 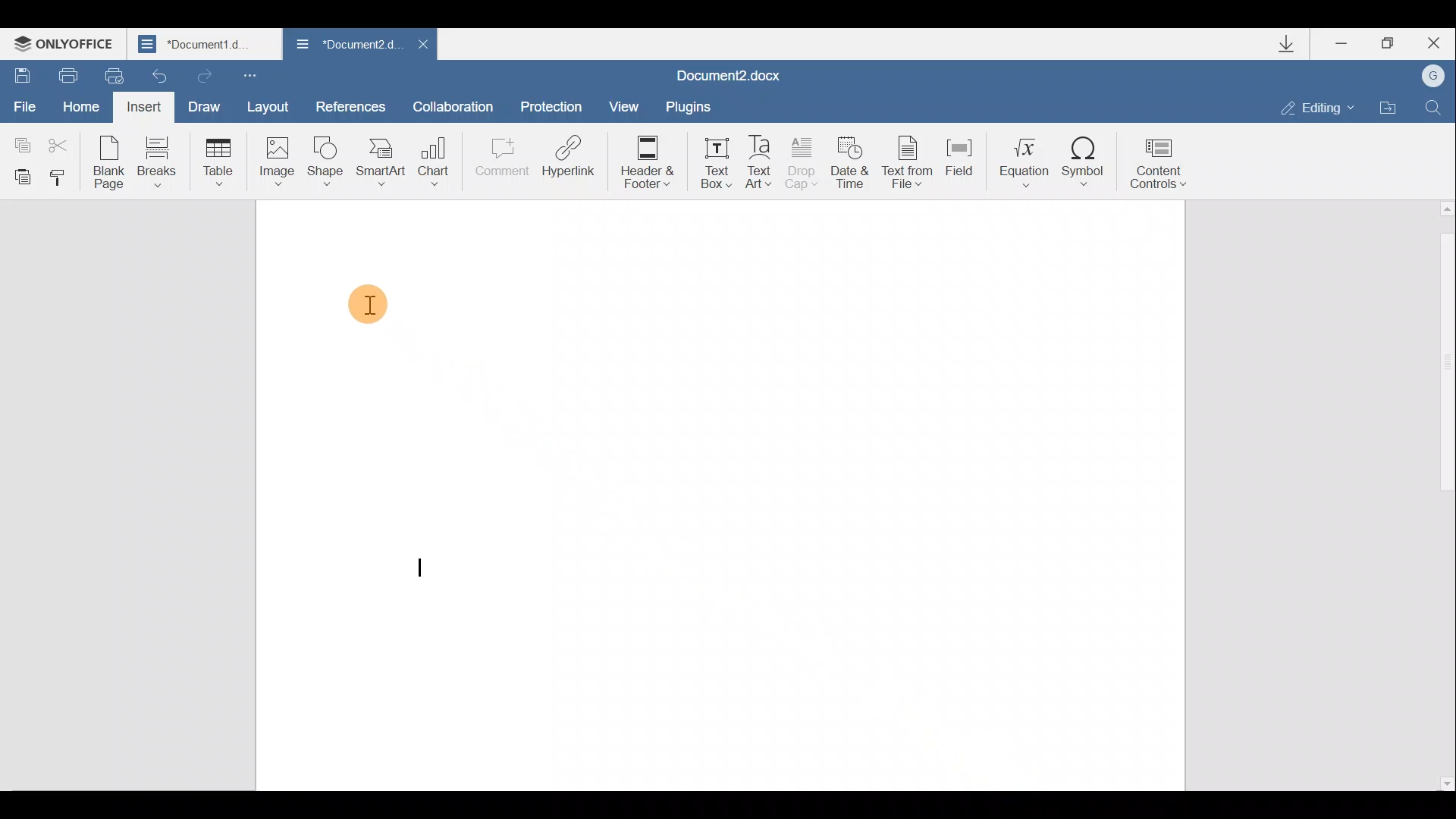 What do you see at coordinates (652, 162) in the screenshot?
I see `Header & footer` at bounding box center [652, 162].